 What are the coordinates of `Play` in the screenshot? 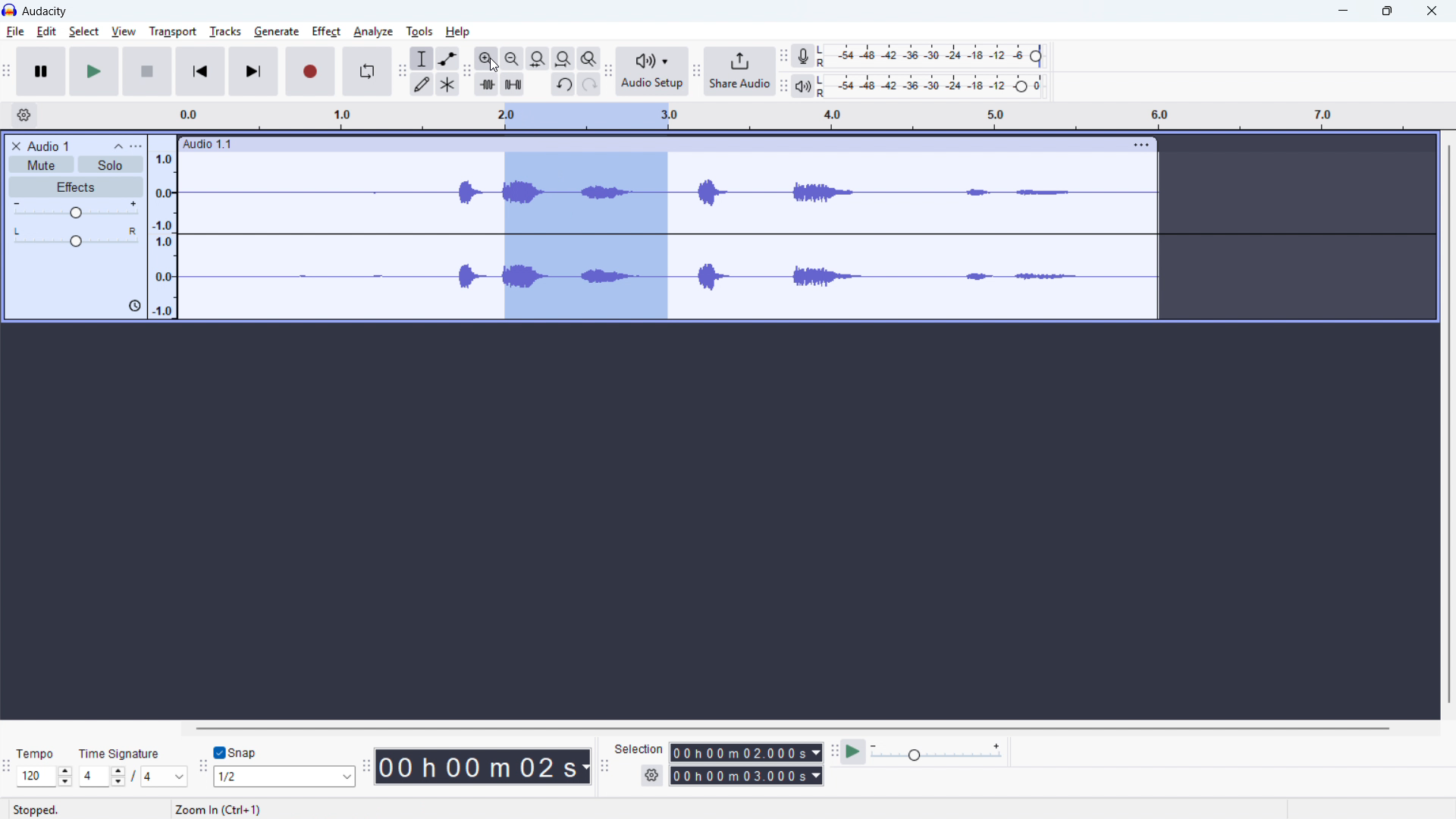 It's located at (94, 71).